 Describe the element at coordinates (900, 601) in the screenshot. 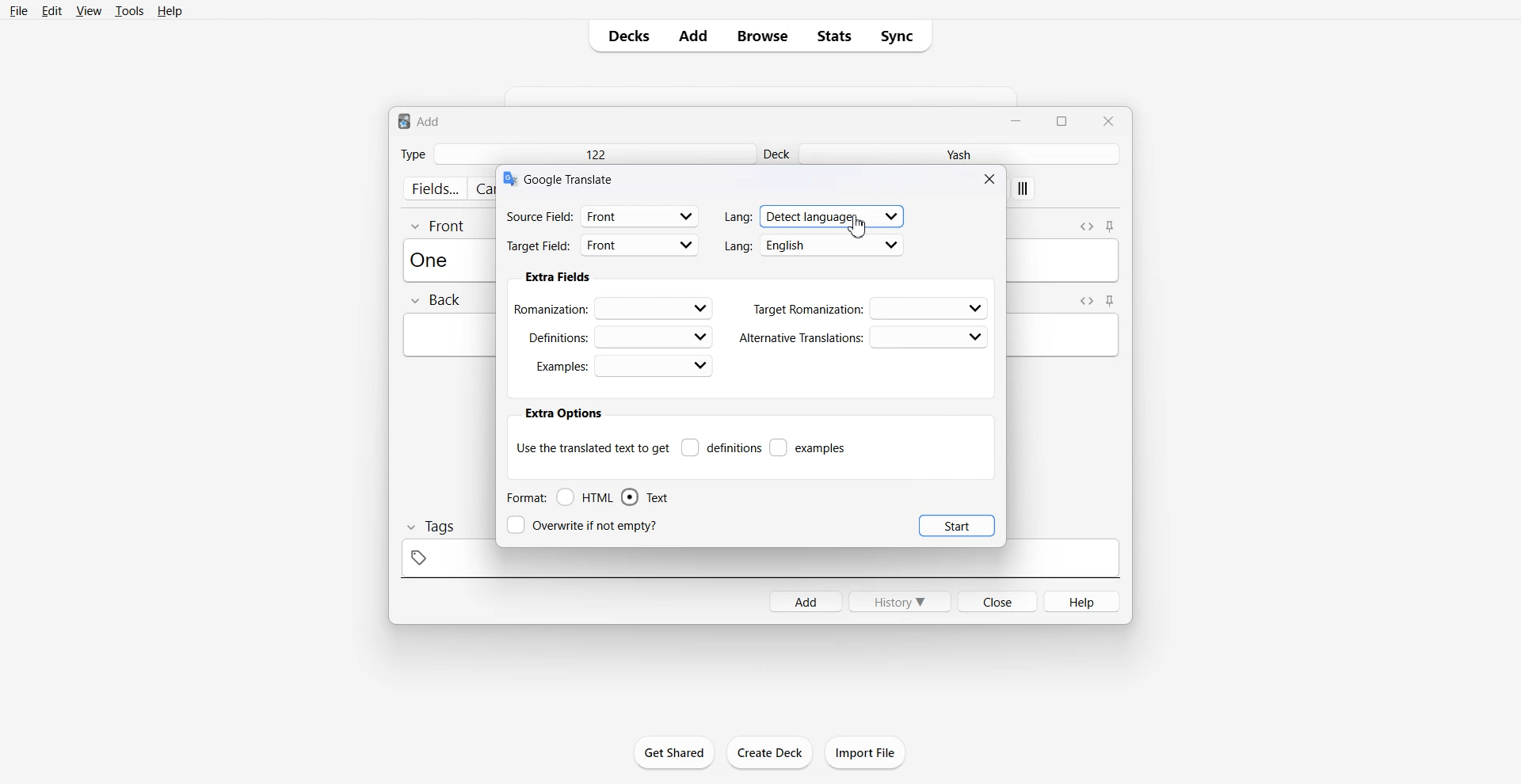

I see `History` at that location.